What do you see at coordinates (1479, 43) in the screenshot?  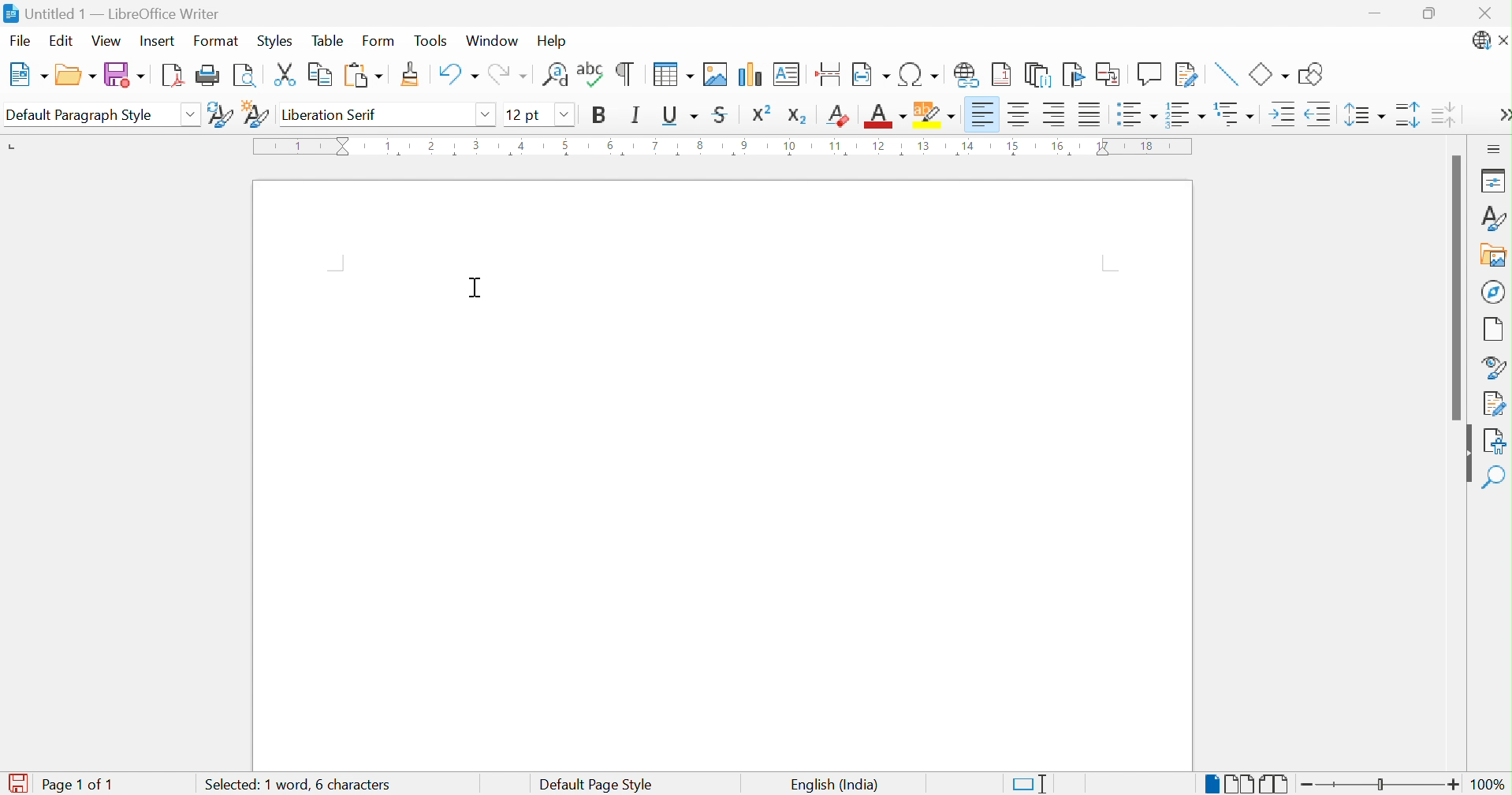 I see `LibreOffice Update Available` at bounding box center [1479, 43].